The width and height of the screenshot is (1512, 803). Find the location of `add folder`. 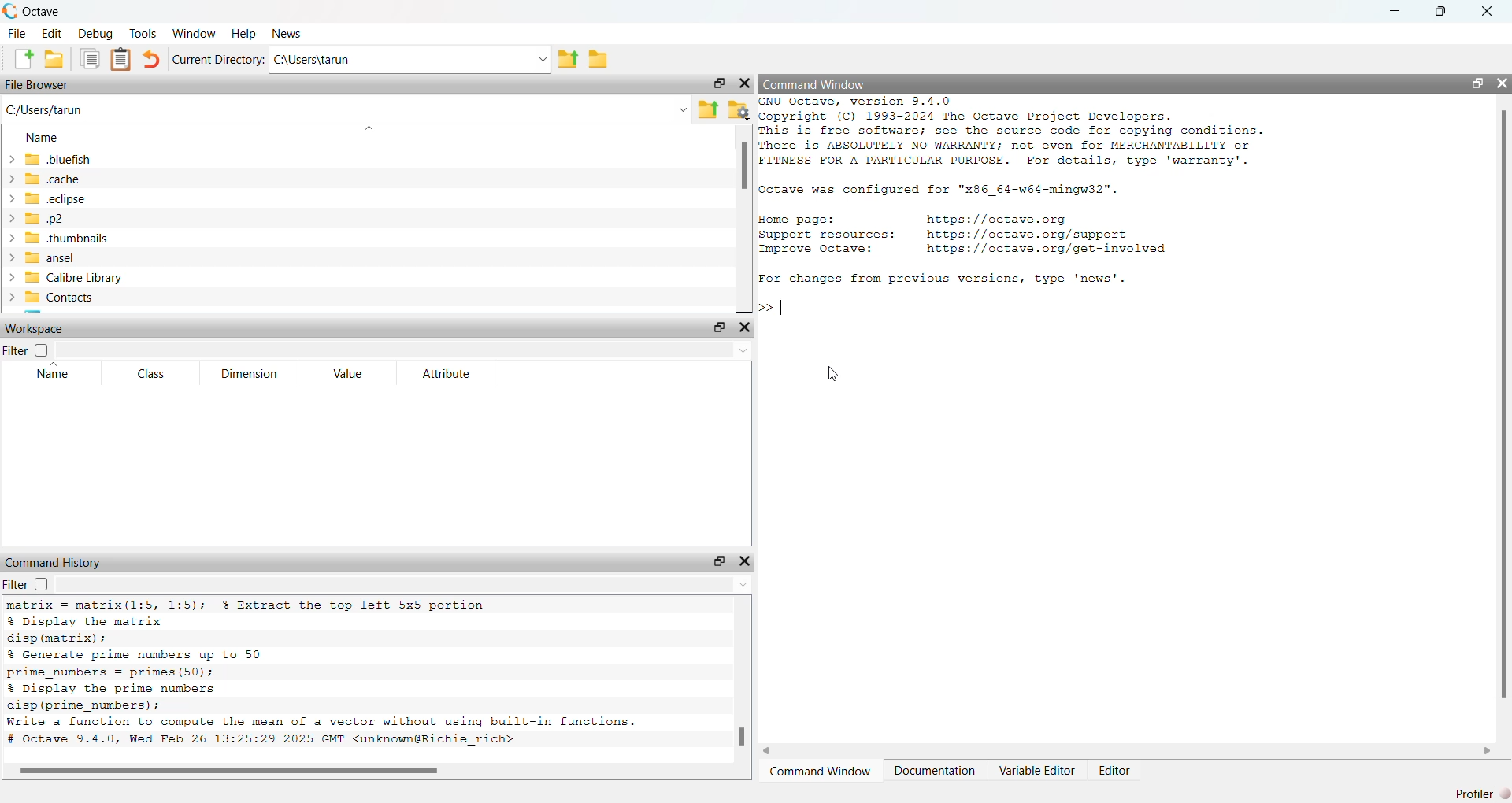

add folder is located at coordinates (54, 60).